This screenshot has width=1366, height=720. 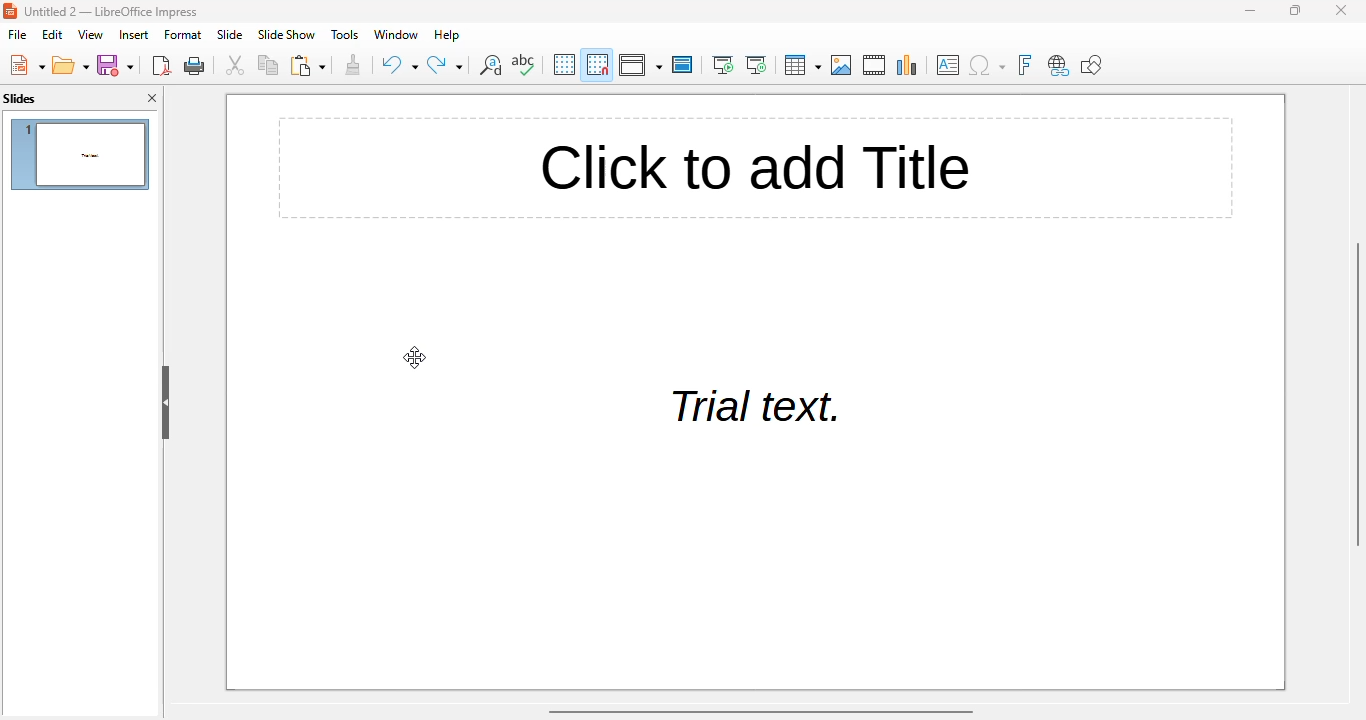 I want to click on help, so click(x=446, y=35).